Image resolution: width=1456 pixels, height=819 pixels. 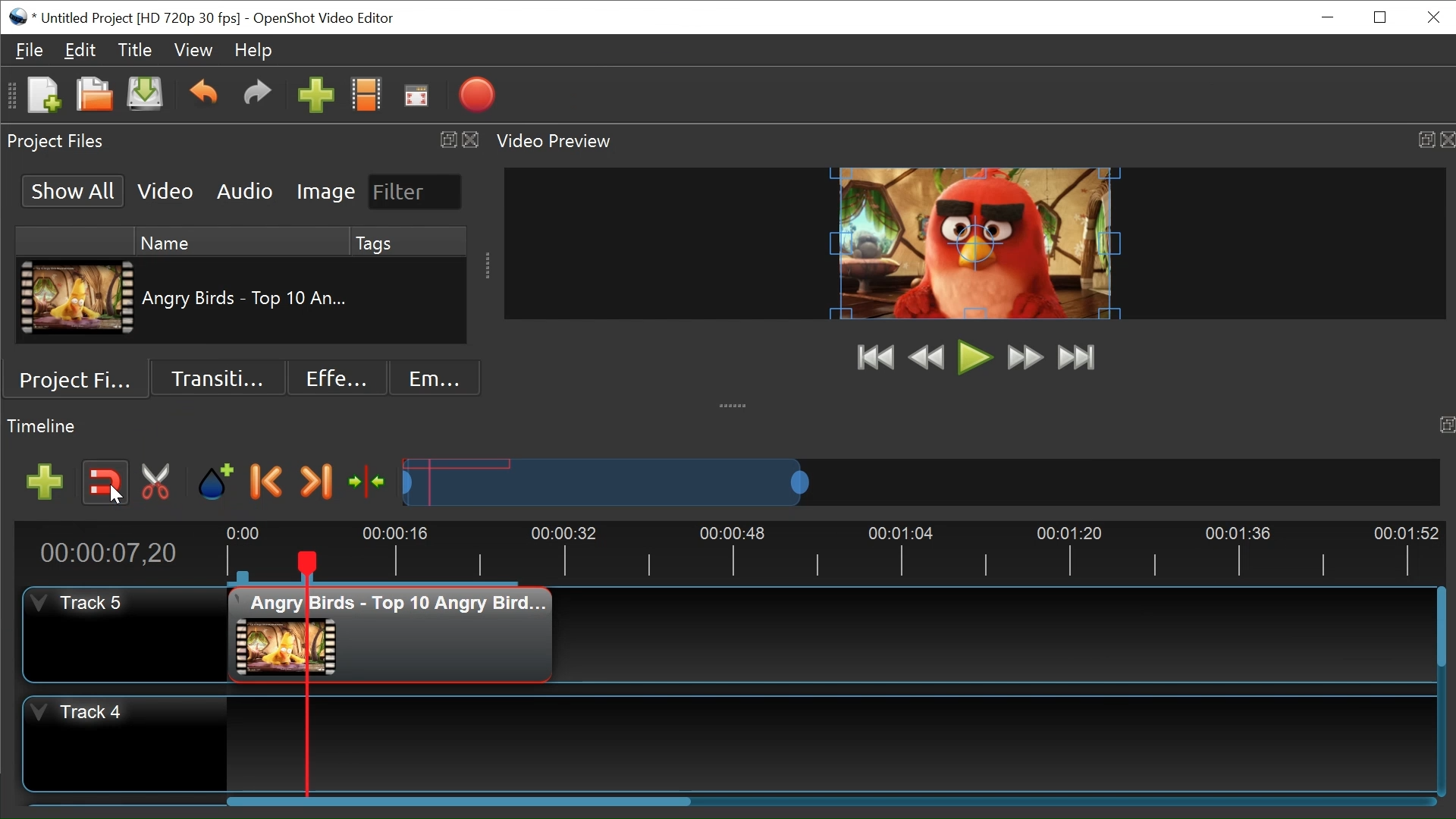 I want to click on Show All, so click(x=74, y=190).